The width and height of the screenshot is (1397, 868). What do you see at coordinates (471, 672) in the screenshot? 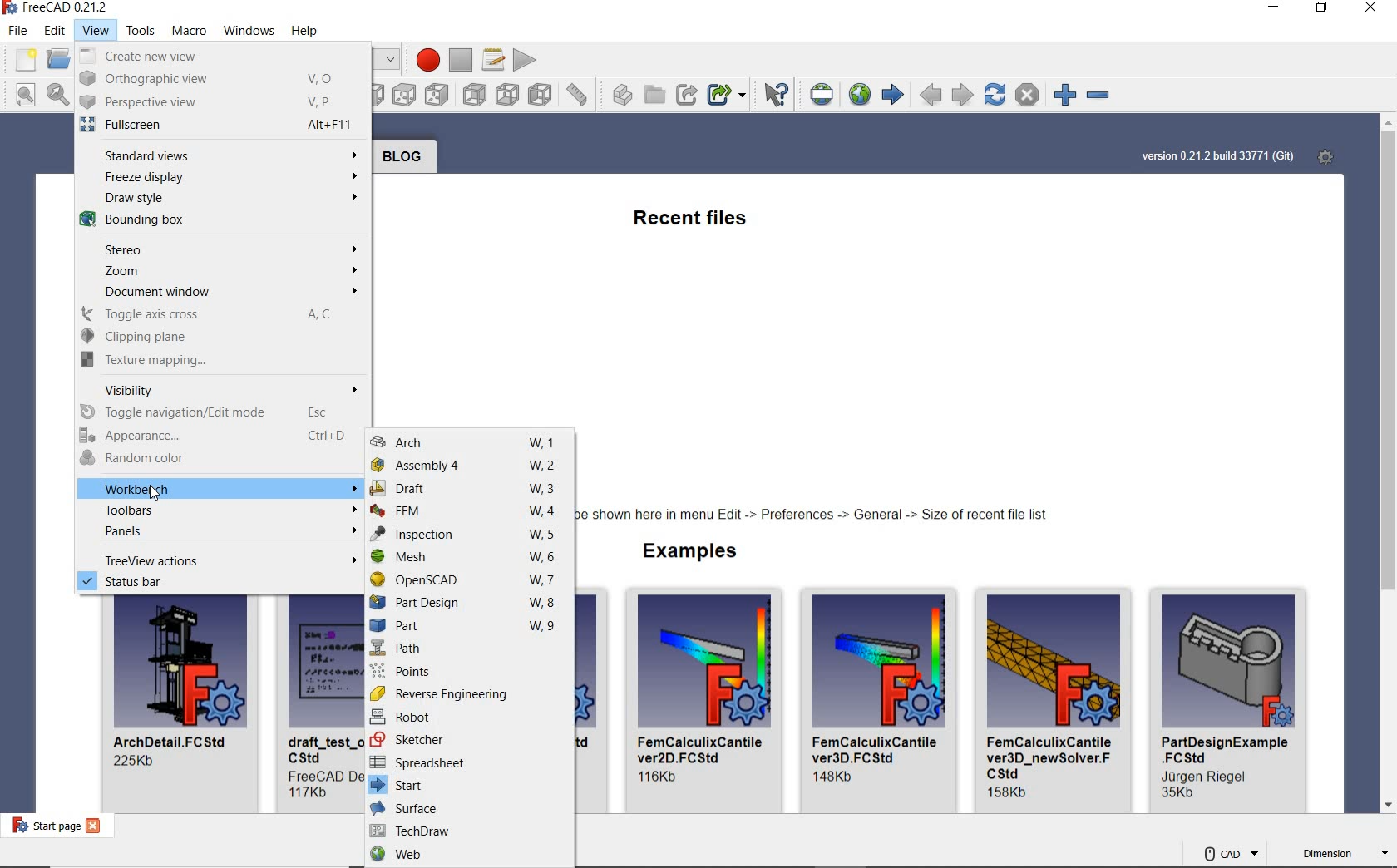
I see `points` at bounding box center [471, 672].